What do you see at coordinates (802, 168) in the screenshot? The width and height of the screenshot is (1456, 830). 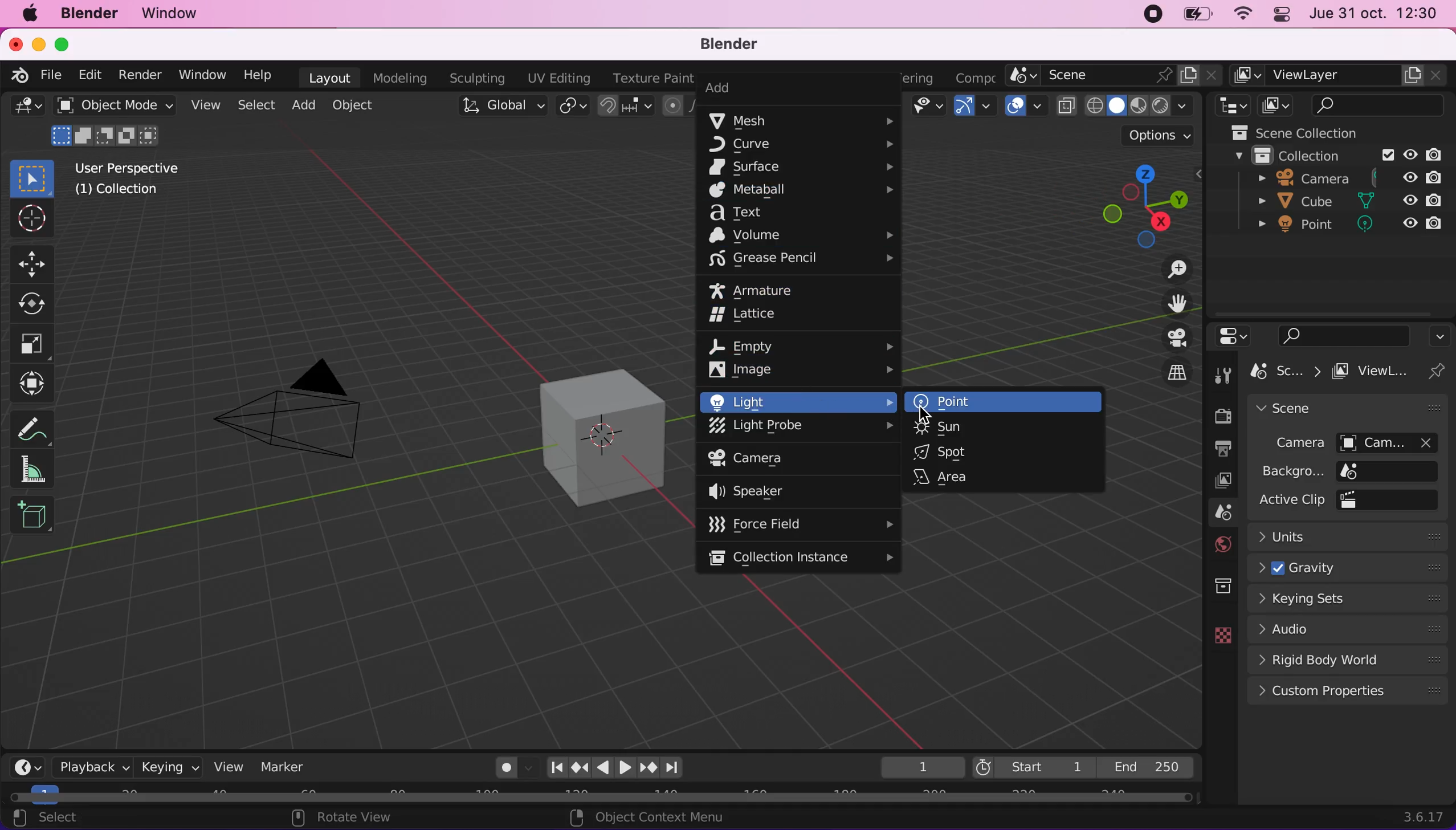 I see `surface` at bounding box center [802, 168].